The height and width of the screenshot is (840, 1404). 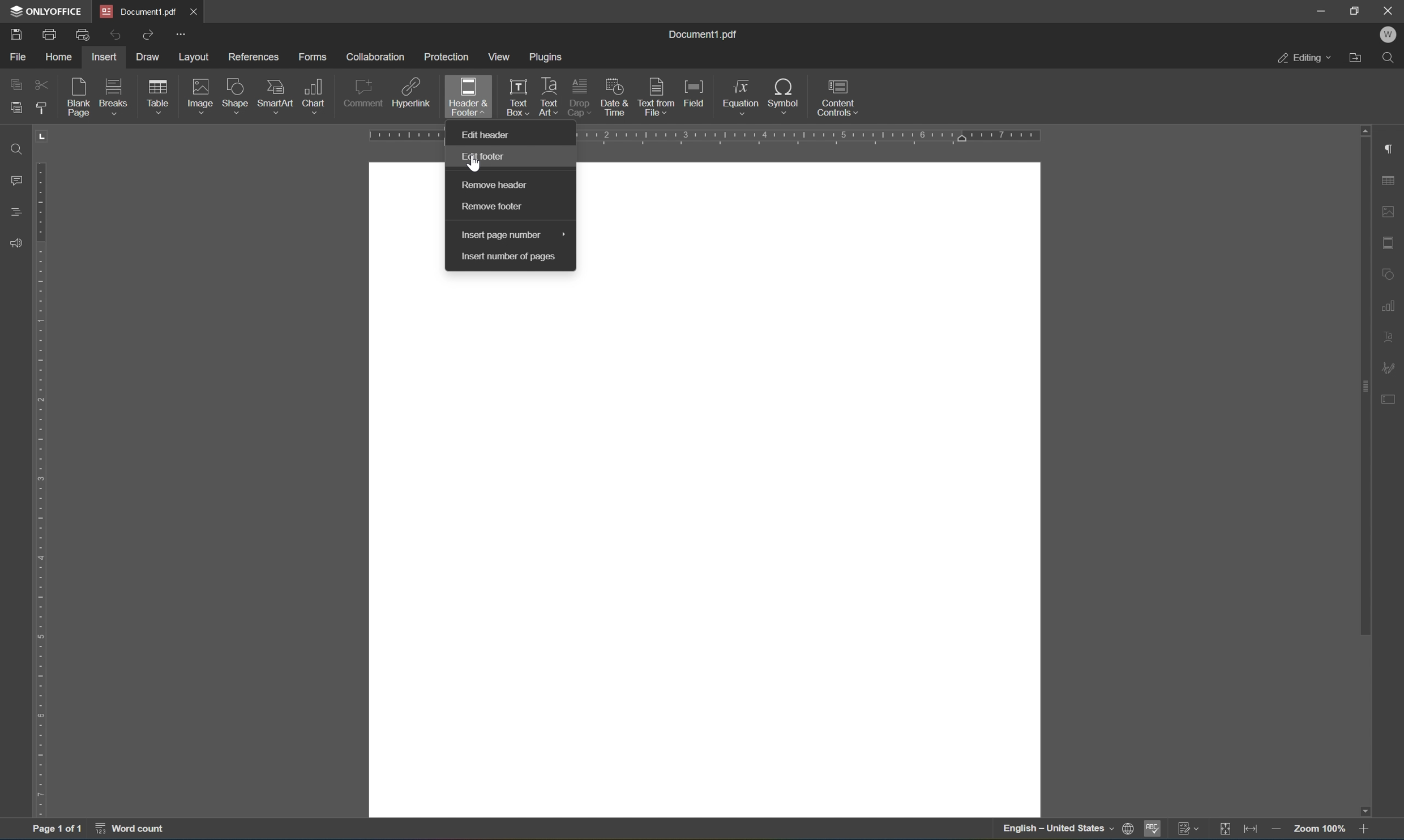 I want to click on paste, so click(x=15, y=110).